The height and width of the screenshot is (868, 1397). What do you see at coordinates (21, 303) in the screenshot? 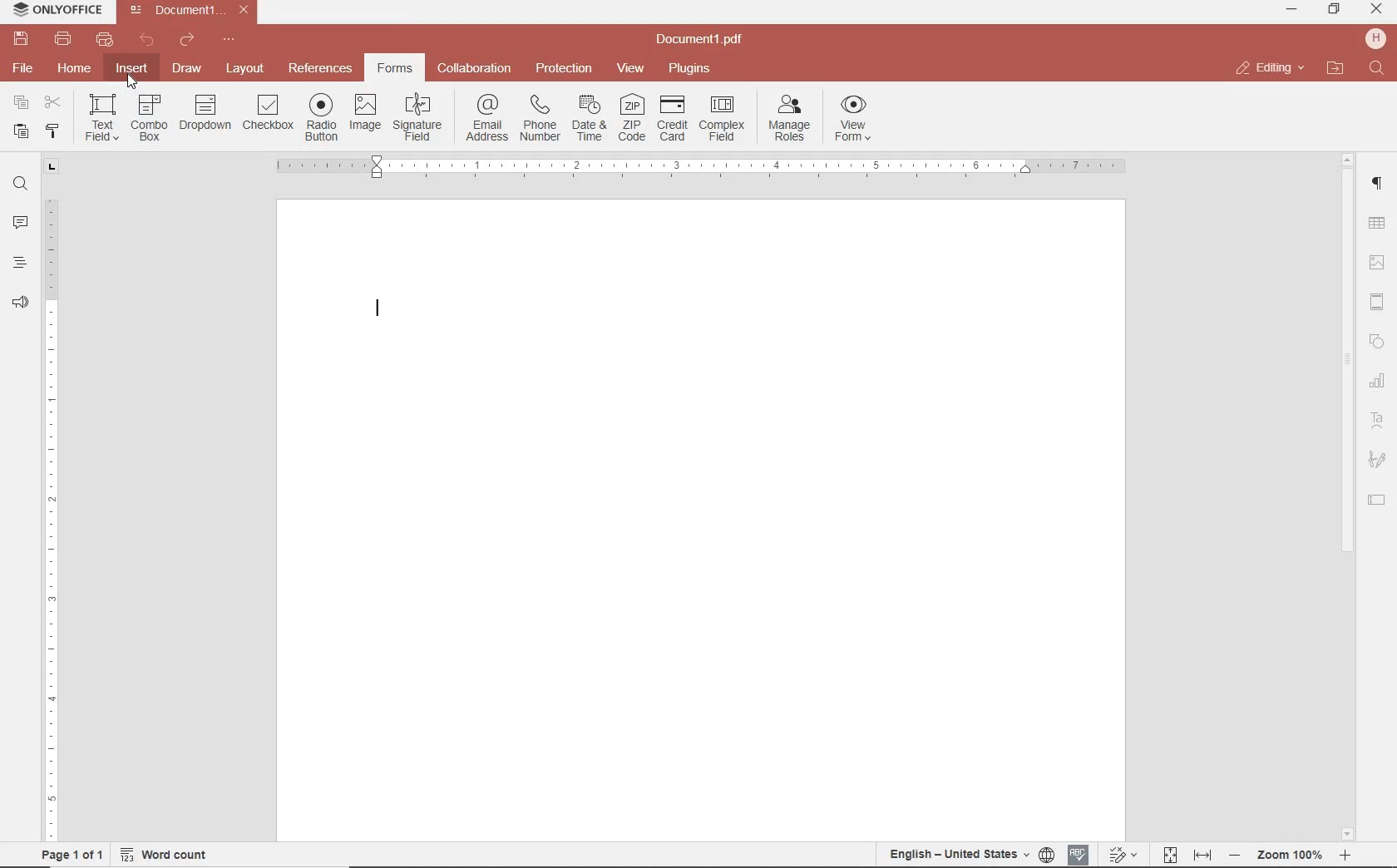
I see `feedback & support` at bounding box center [21, 303].